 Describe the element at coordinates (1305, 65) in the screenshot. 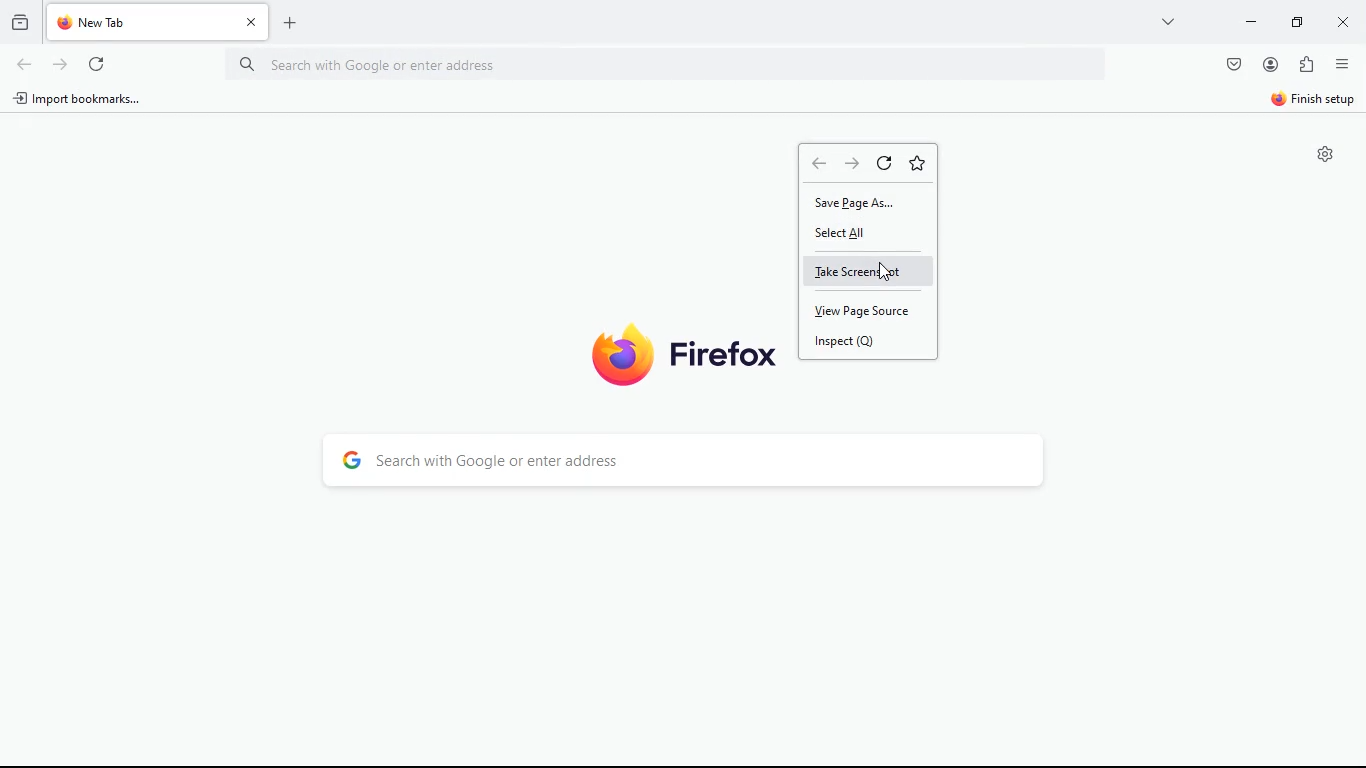

I see `extensions` at that location.